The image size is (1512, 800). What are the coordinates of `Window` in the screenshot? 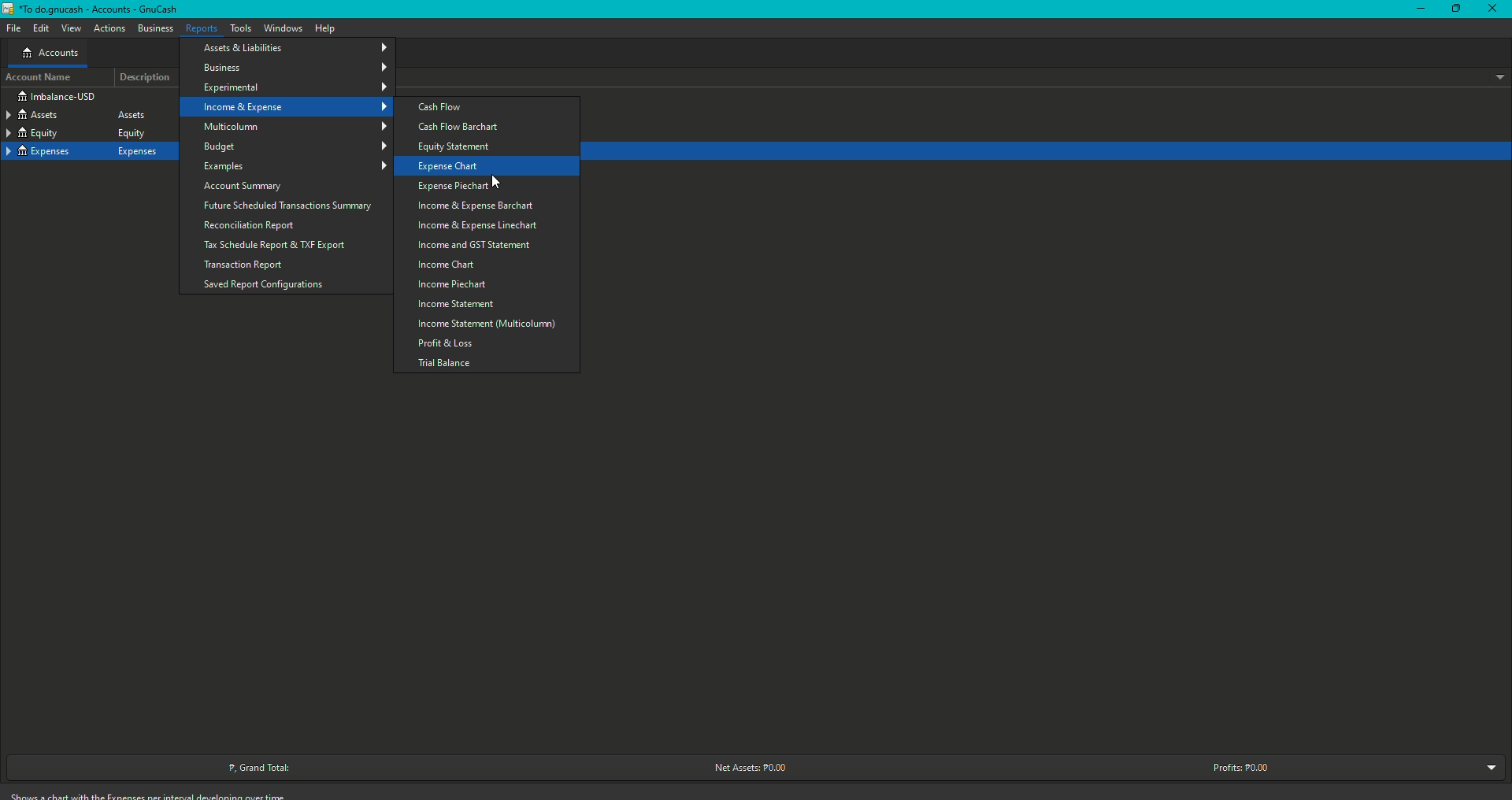 It's located at (281, 29).